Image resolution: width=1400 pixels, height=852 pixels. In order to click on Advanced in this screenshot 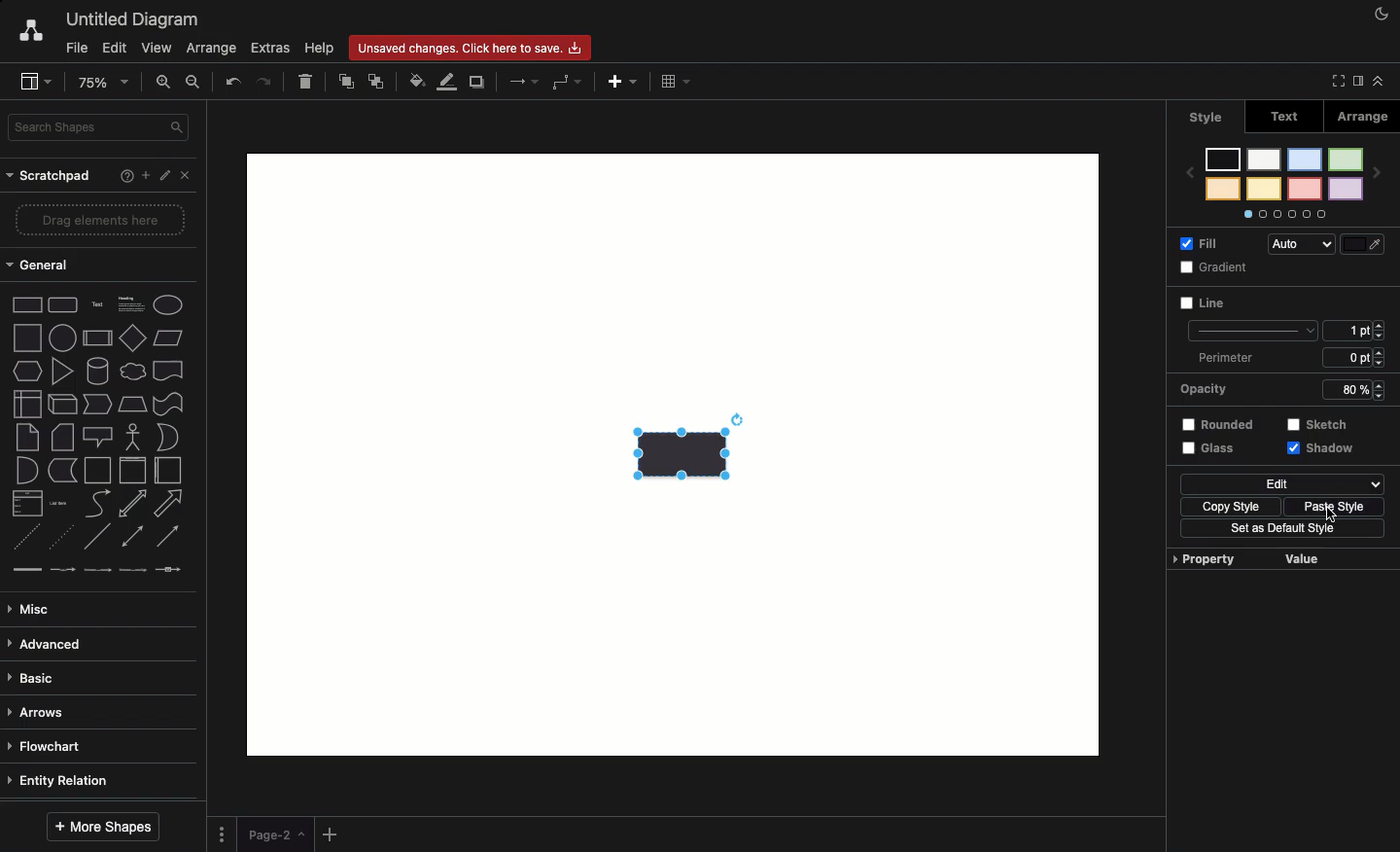, I will do `click(54, 644)`.